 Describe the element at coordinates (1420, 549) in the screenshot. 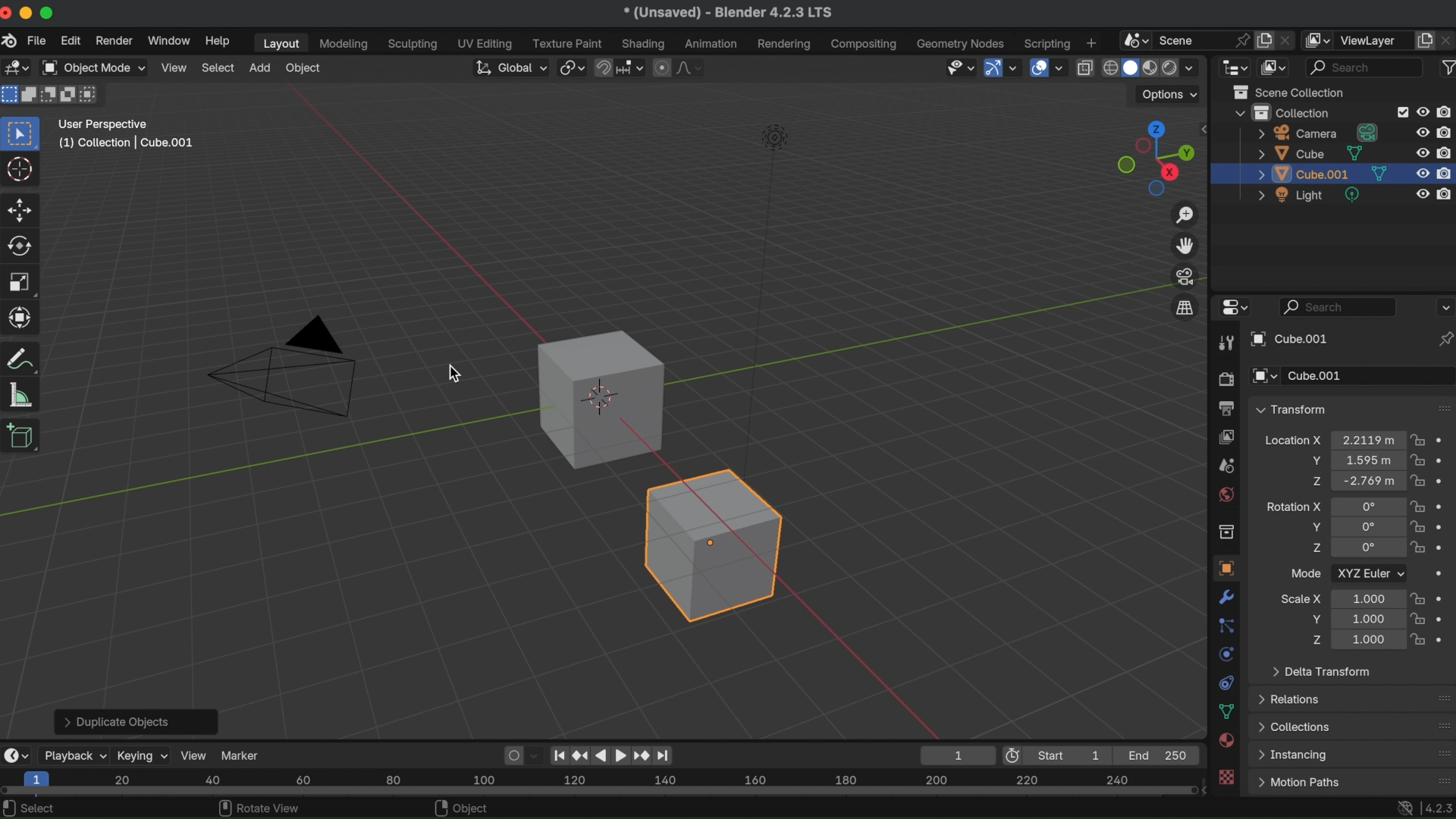

I see `lock rotation` at that location.